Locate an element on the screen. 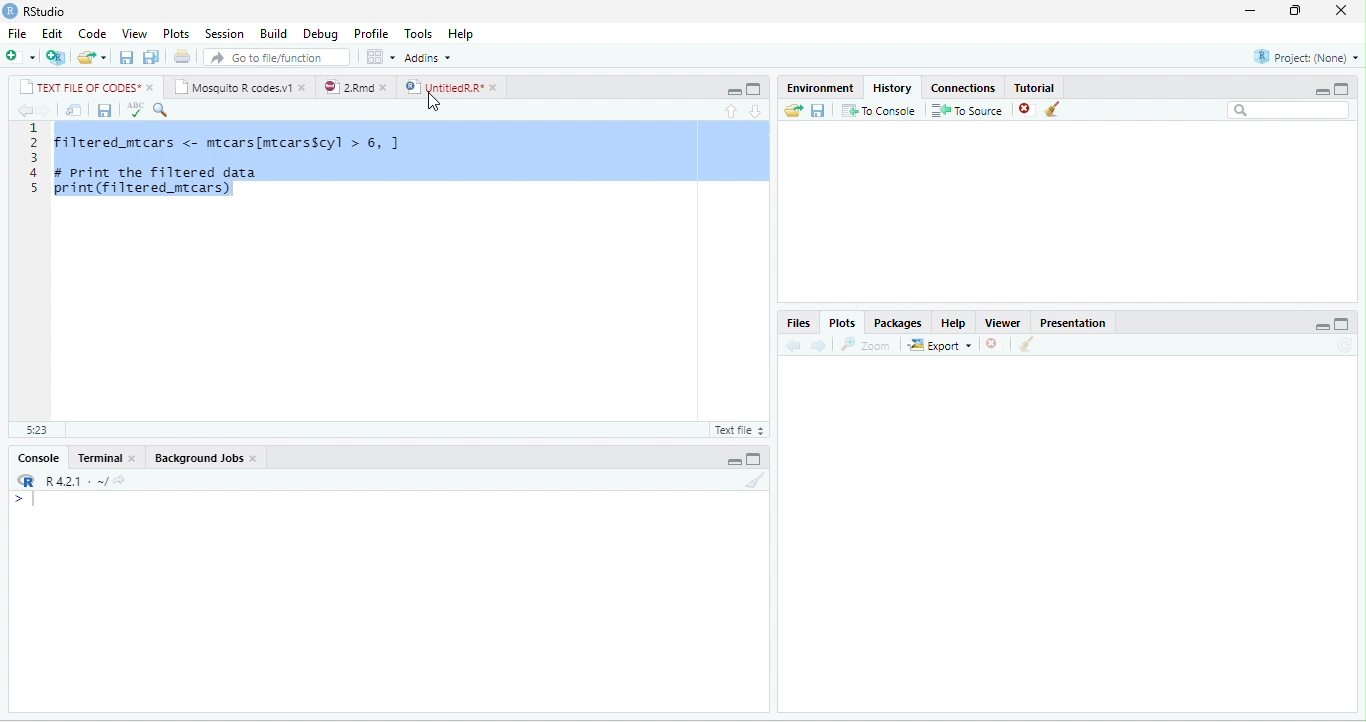  File is located at coordinates (17, 33).